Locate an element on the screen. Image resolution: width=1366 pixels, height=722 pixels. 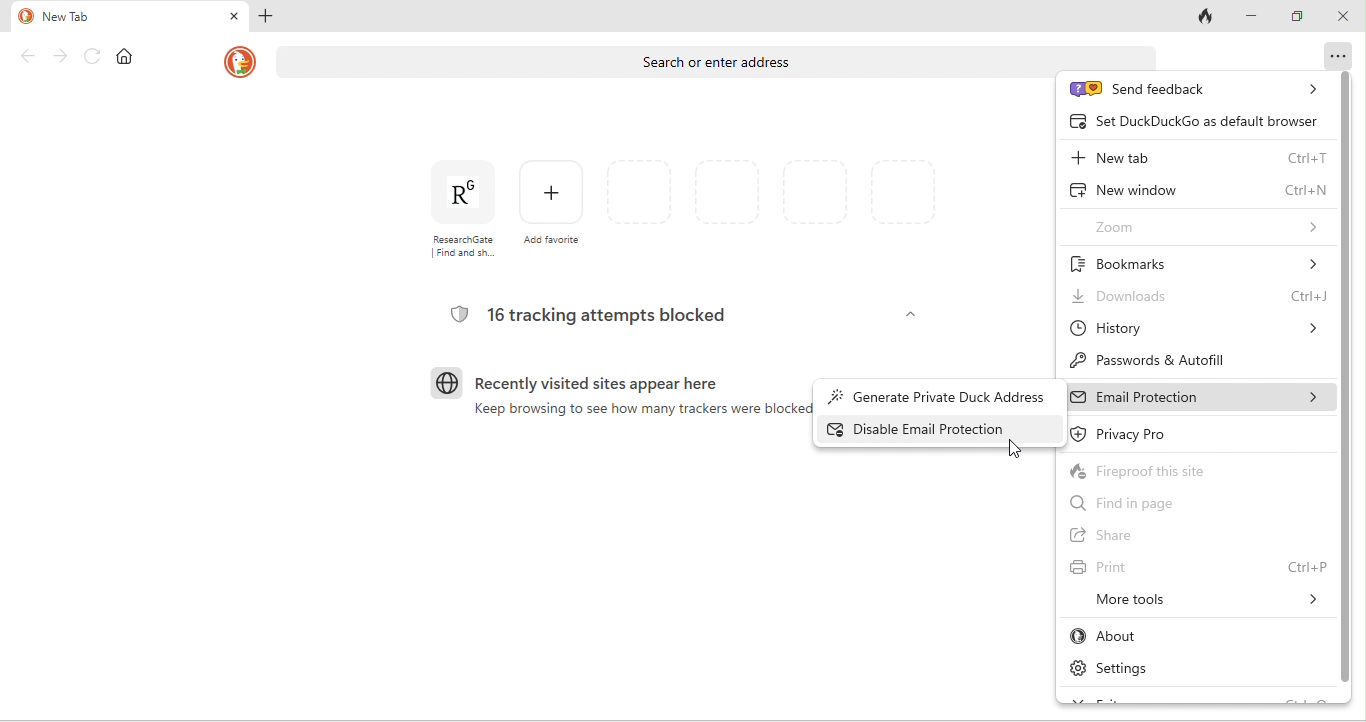
history is located at coordinates (1197, 332).